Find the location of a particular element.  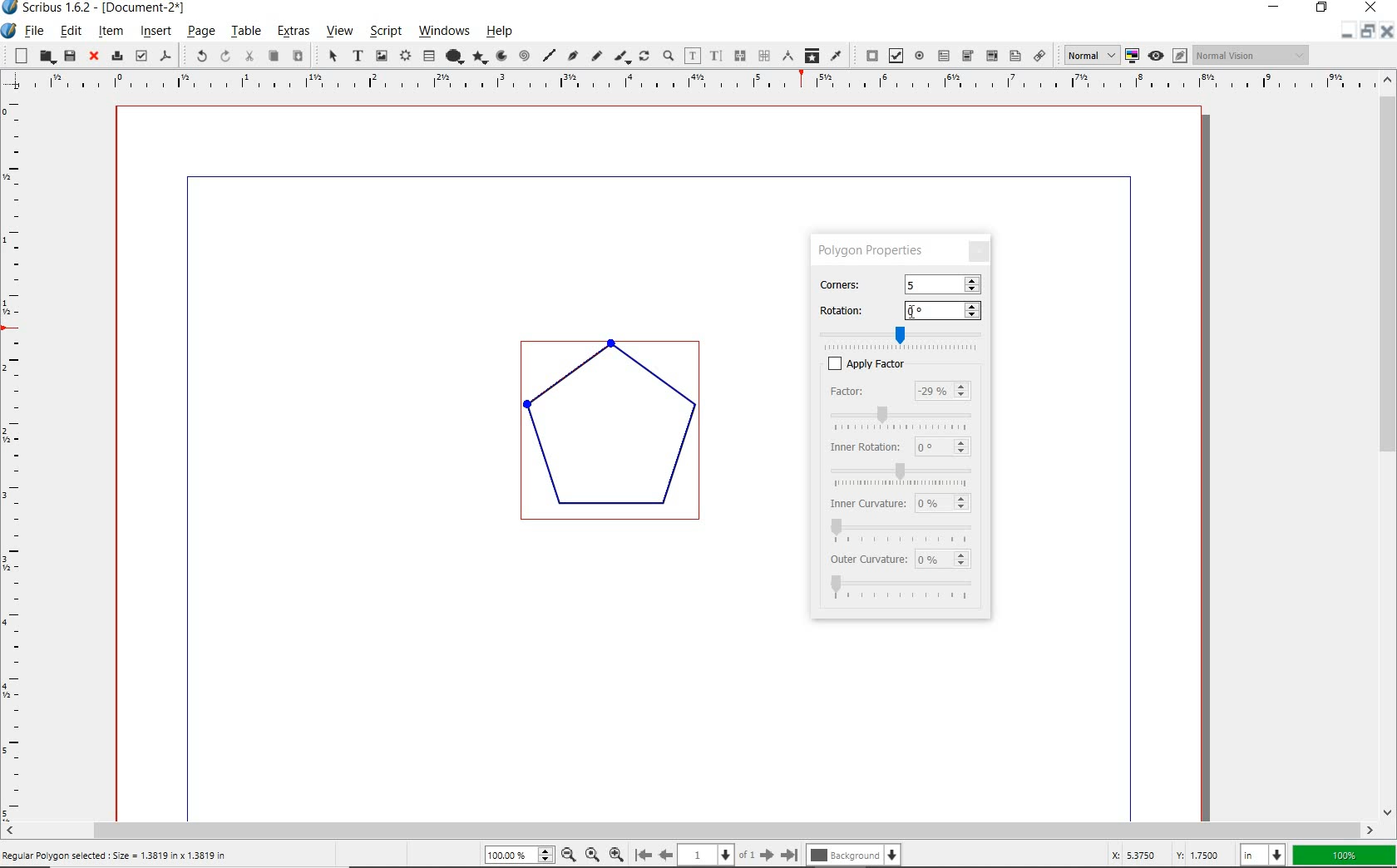

measurements is located at coordinates (789, 56).